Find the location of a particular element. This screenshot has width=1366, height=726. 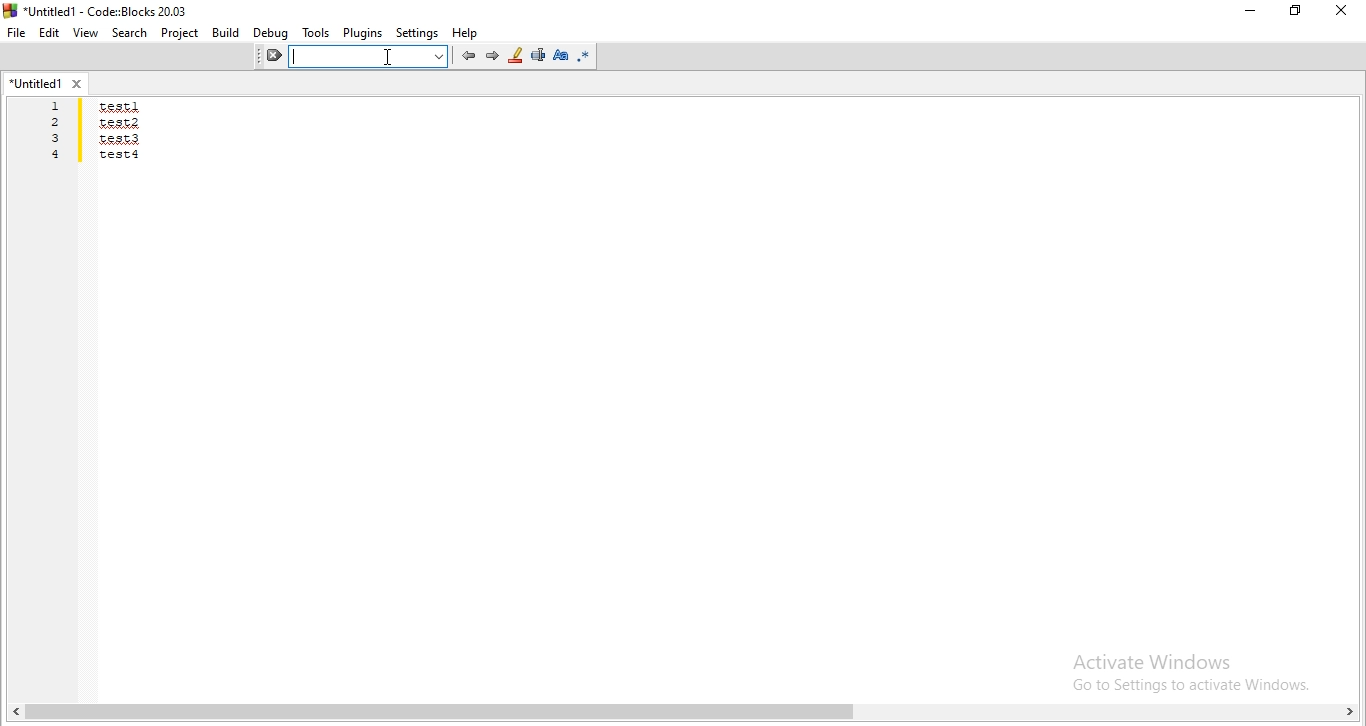

highlight is located at coordinates (515, 56).